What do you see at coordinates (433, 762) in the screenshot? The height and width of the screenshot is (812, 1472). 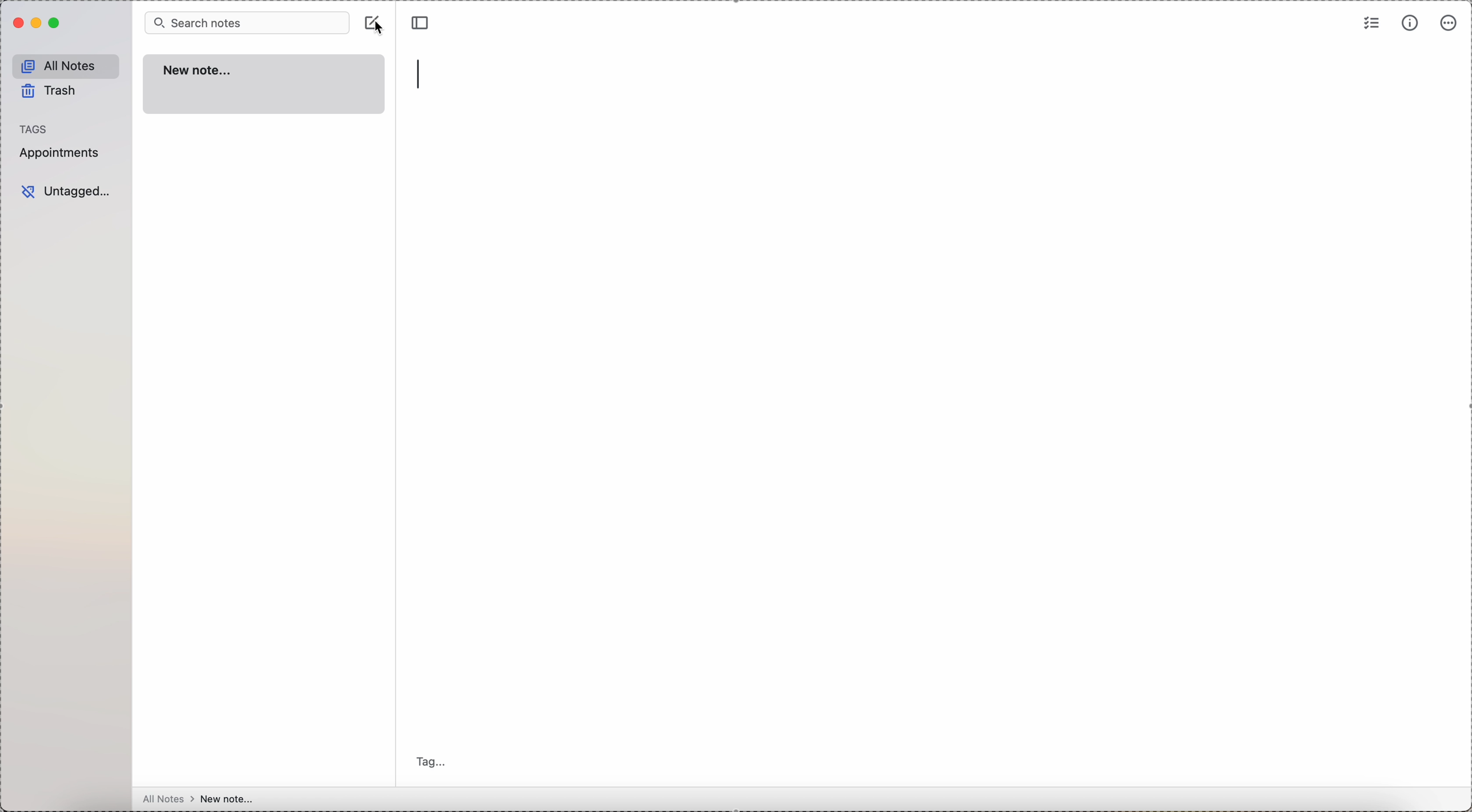 I see `tag` at bounding box center [433, 762].